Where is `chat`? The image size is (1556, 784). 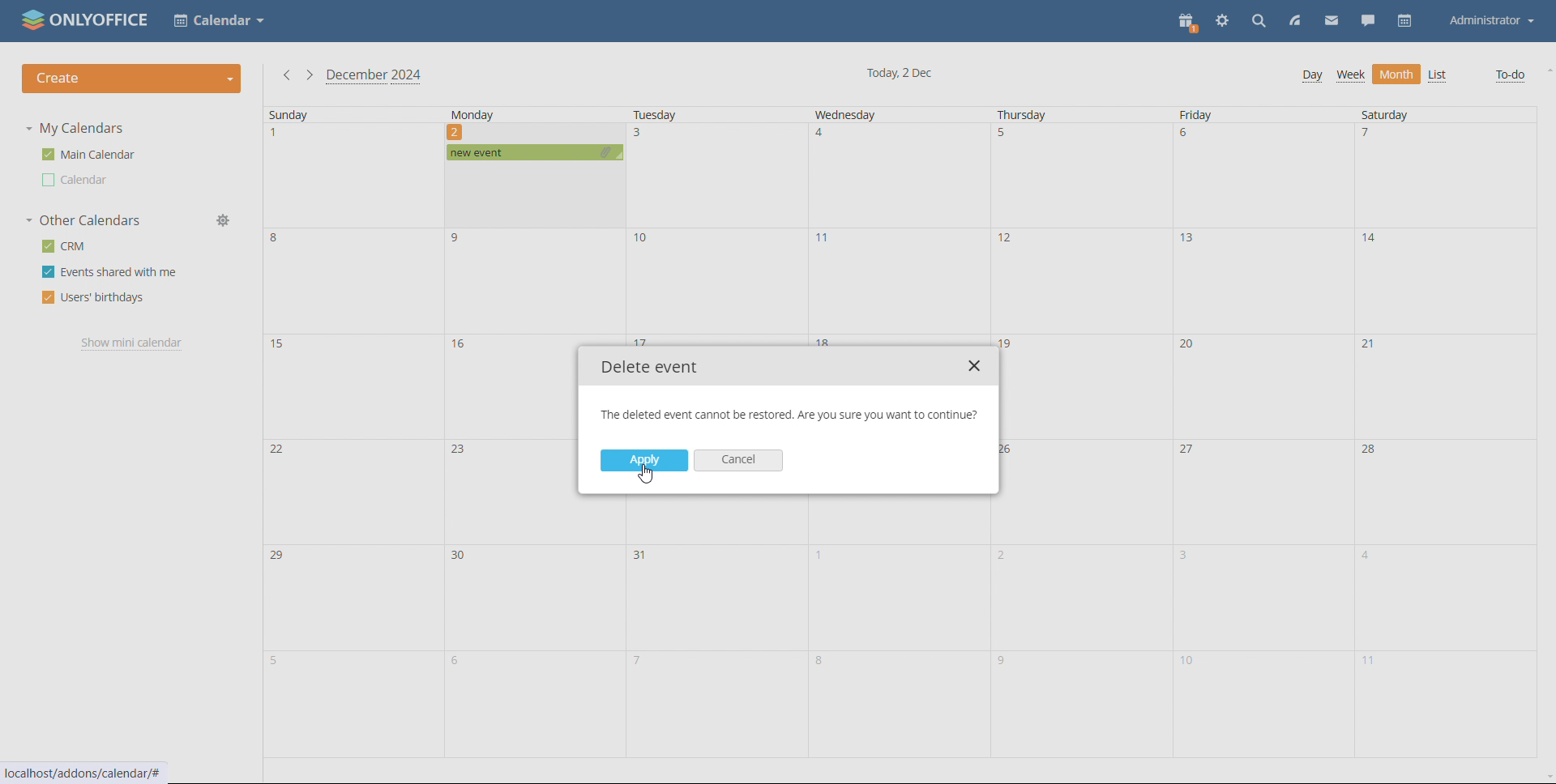
chat is located at coordinates (1368, 21).